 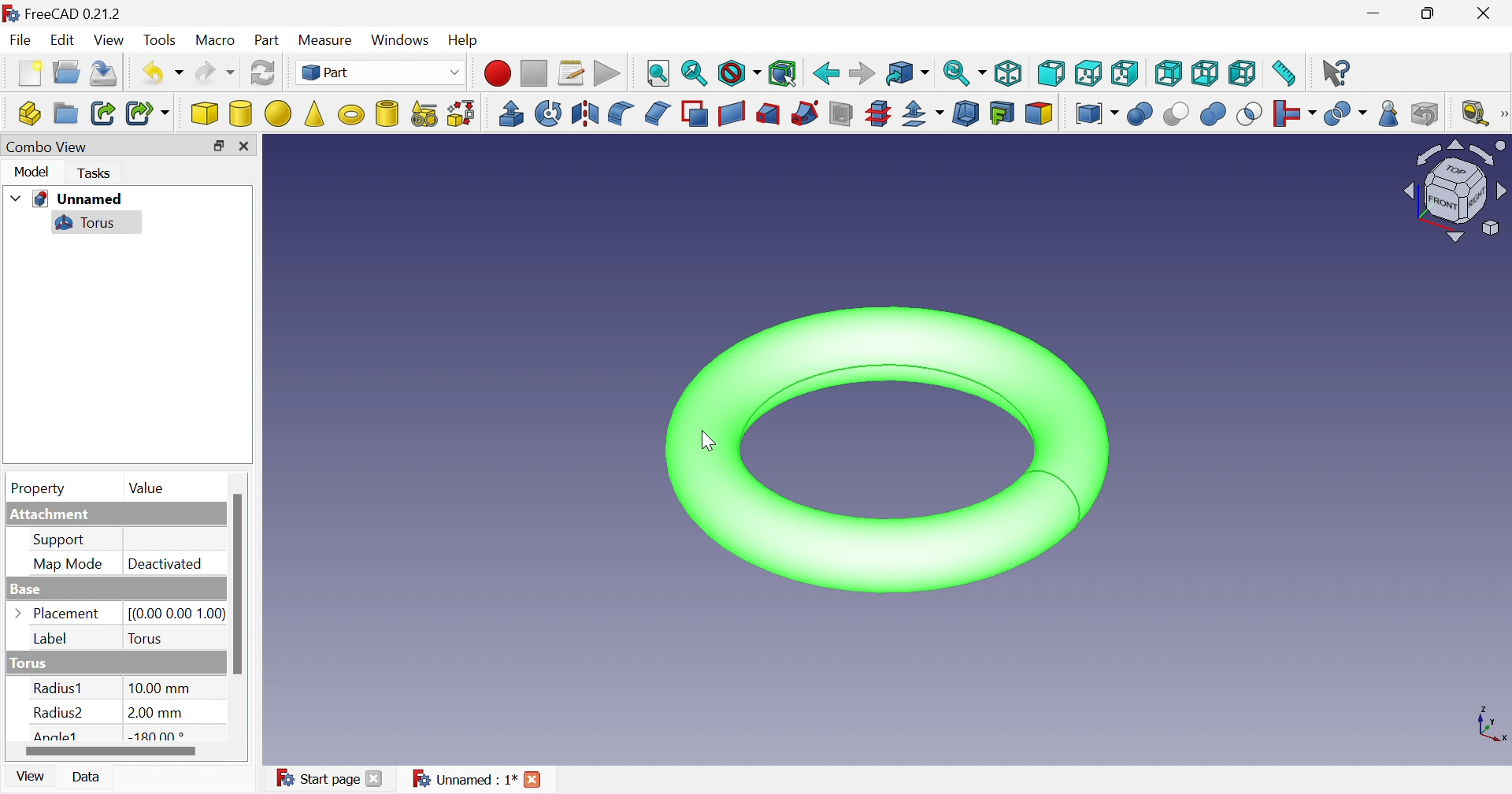 What do you see at coordinates (1429, 14) in the screenshot?
I see `Restore down` at bounding box center [1429, 14].